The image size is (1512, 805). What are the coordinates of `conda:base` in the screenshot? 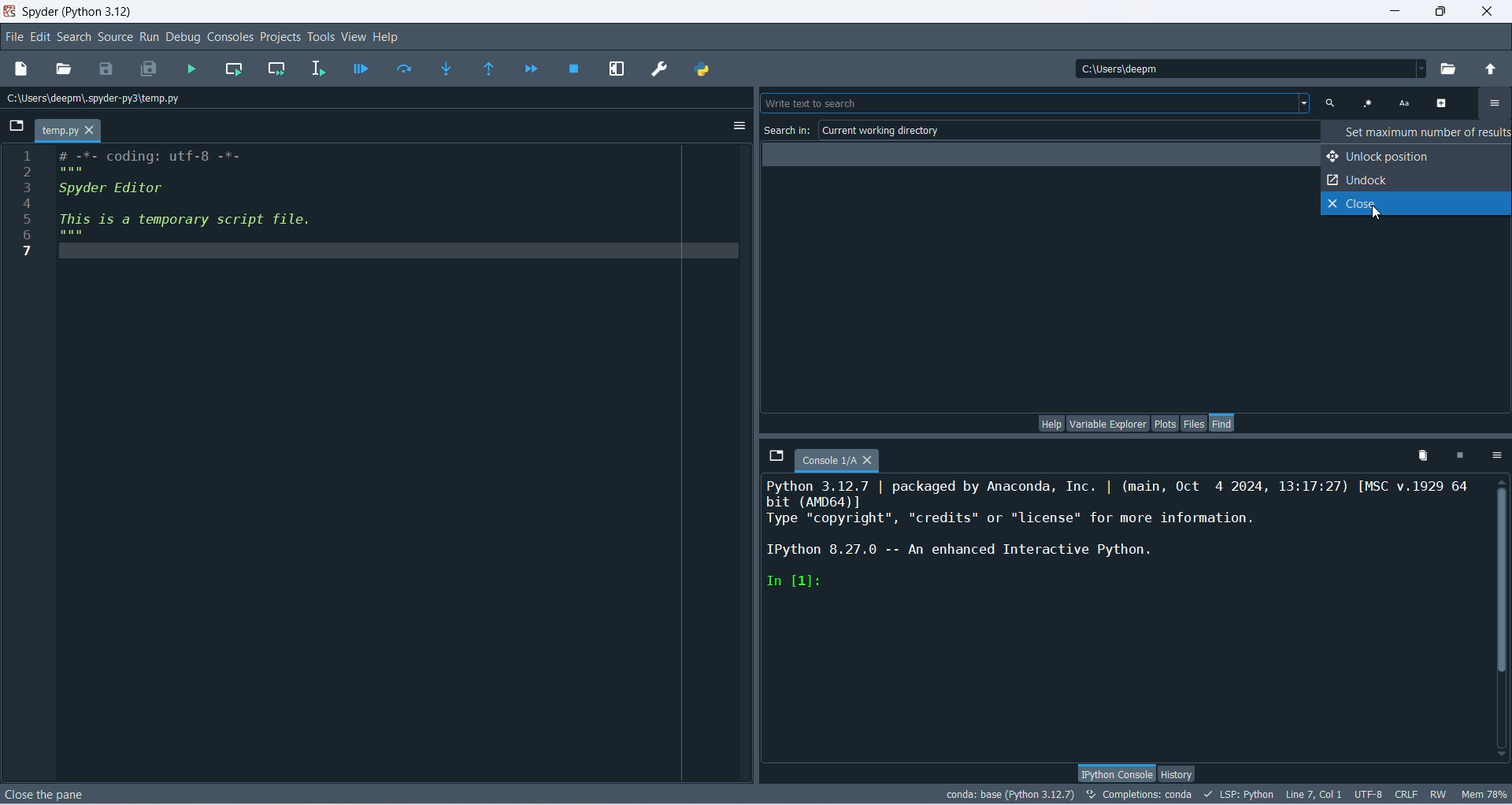 It's located at (1010, 793).